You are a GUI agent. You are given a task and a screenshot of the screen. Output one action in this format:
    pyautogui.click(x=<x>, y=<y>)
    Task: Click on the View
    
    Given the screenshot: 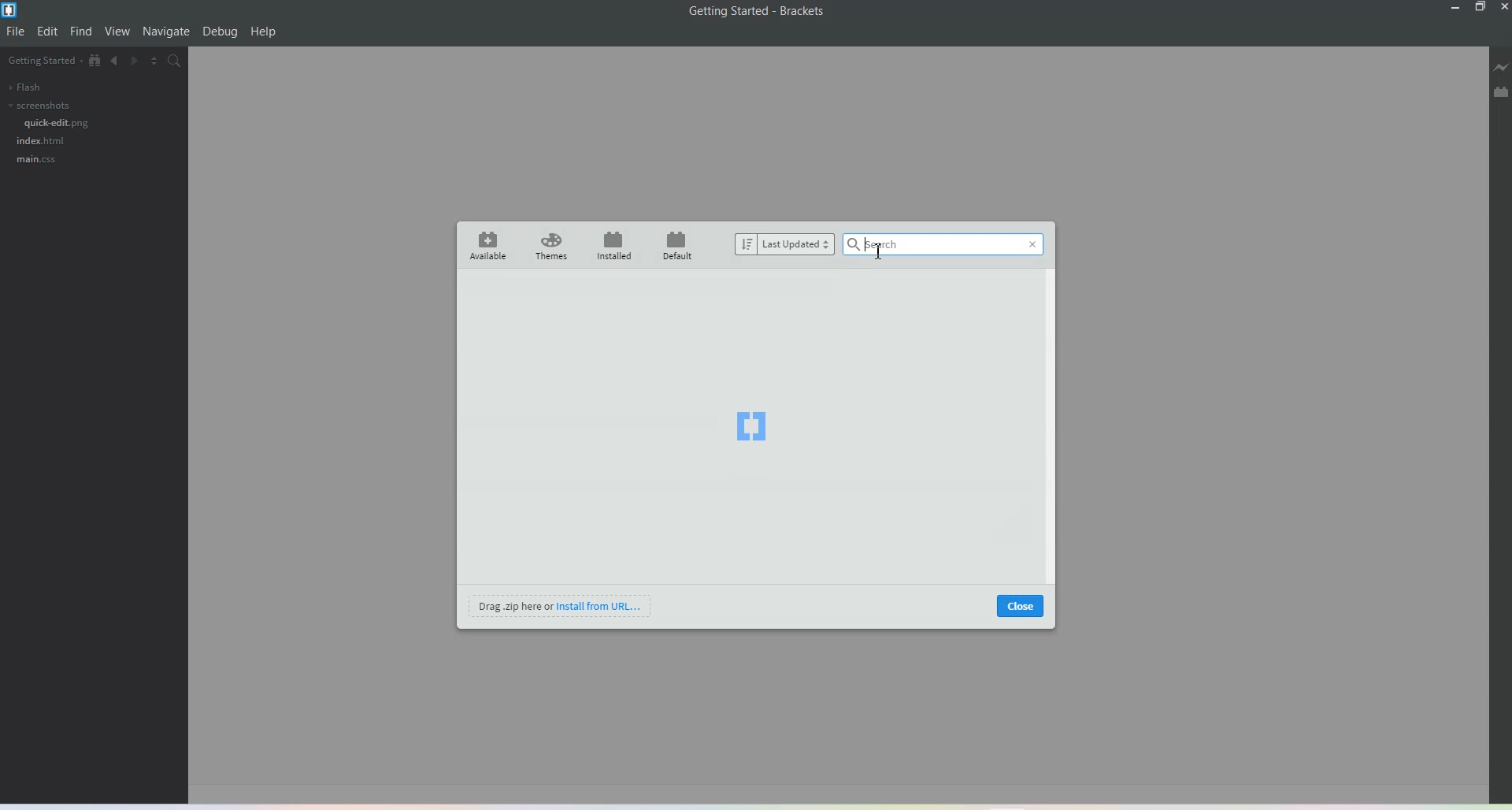 What is the action you would take?
    pyautogui.click(x=118, y=32)
    